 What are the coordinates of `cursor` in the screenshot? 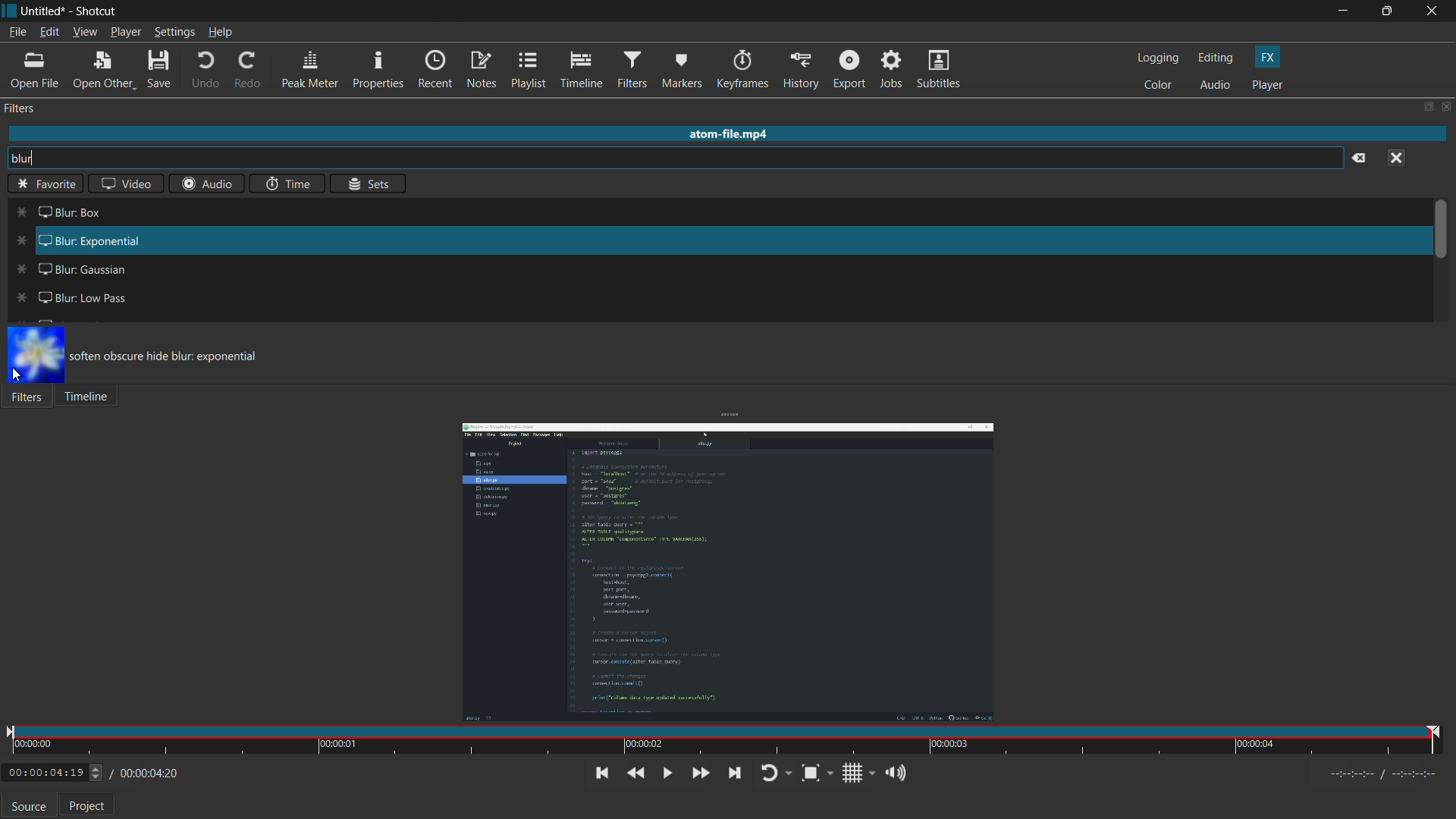 It's located at (17, 375).